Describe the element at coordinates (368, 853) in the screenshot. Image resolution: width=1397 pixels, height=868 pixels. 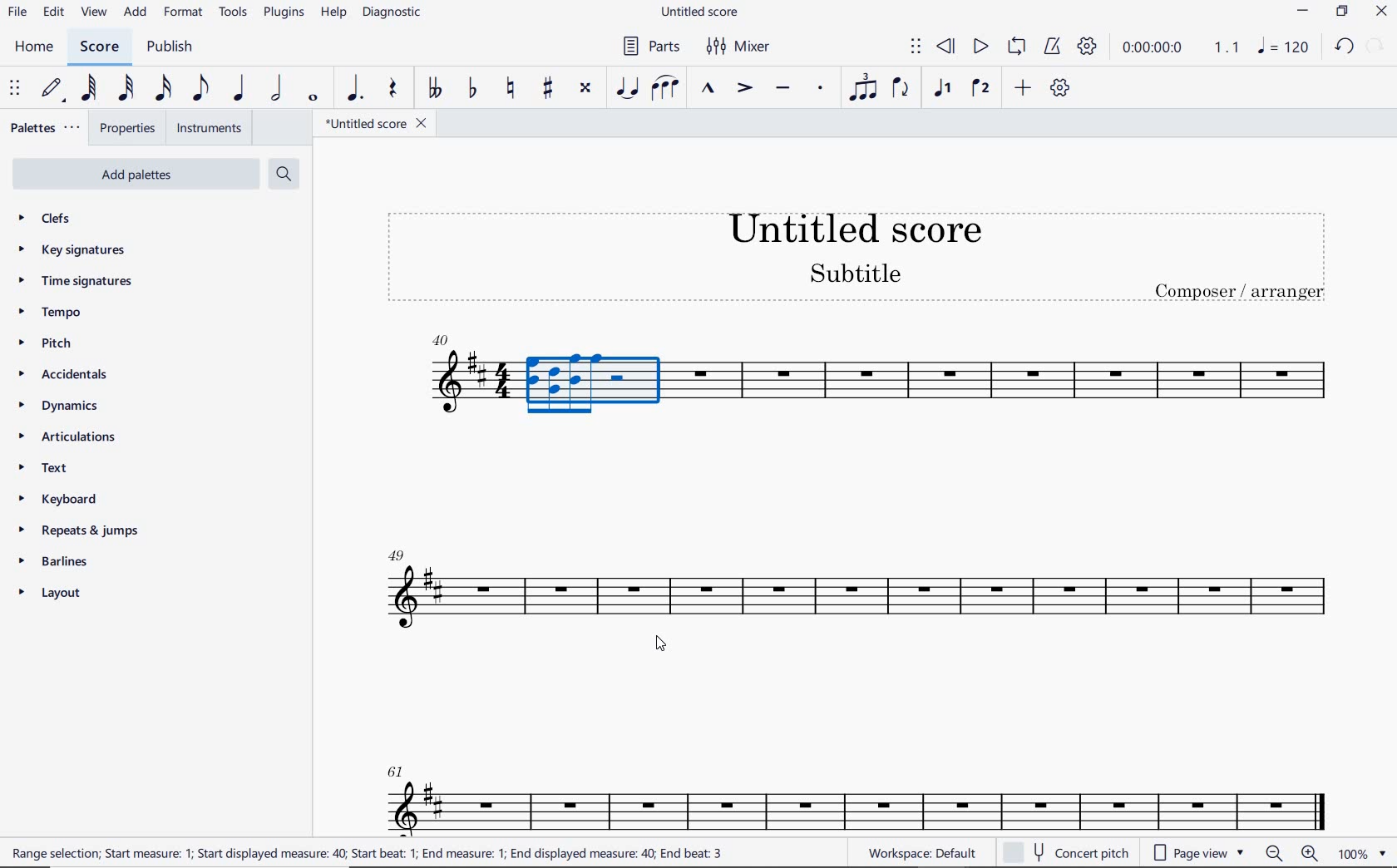
I see `range selection` at that location.